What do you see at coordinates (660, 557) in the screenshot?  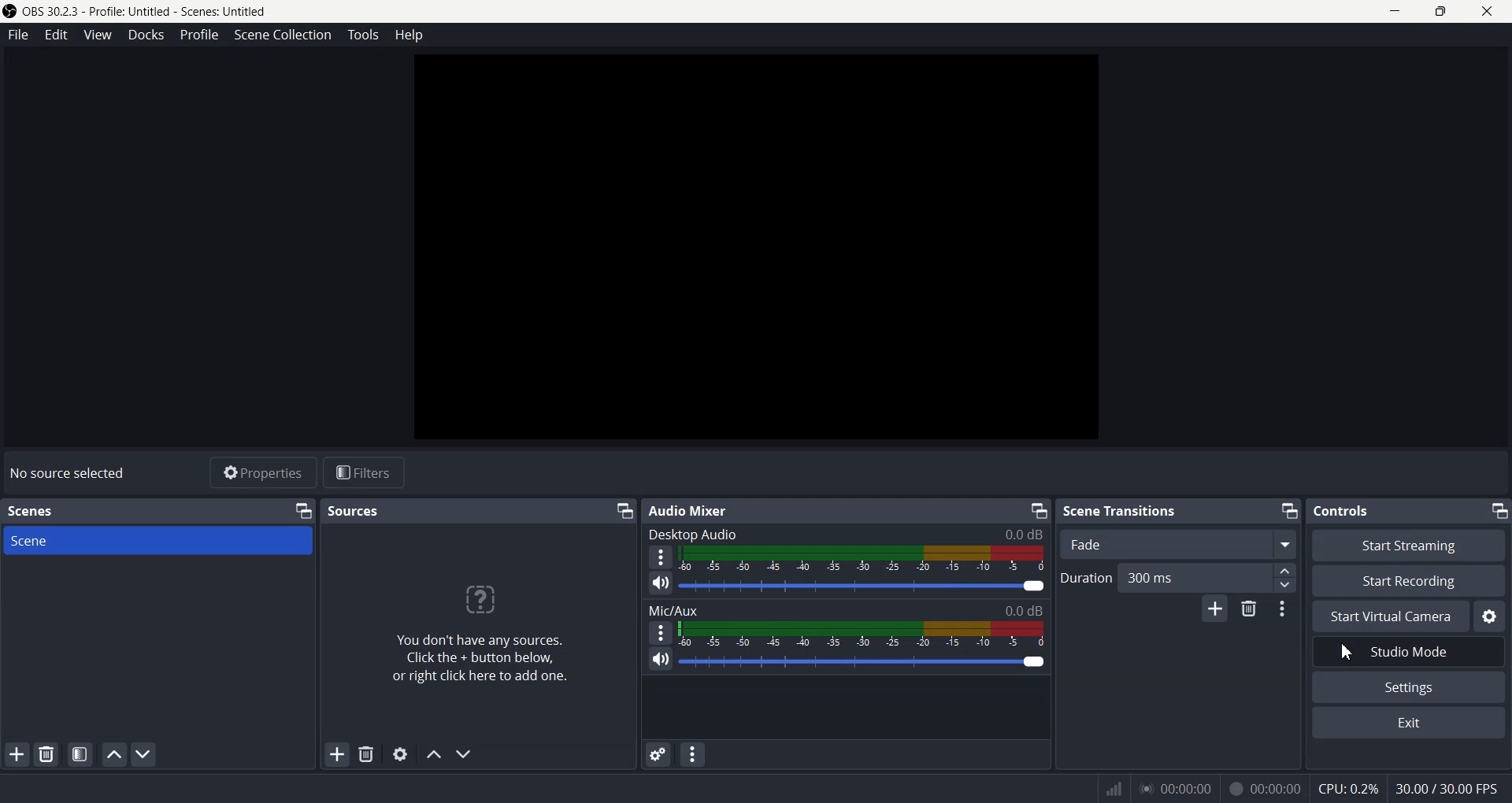 I see `More` at bounding box center [660, 557].